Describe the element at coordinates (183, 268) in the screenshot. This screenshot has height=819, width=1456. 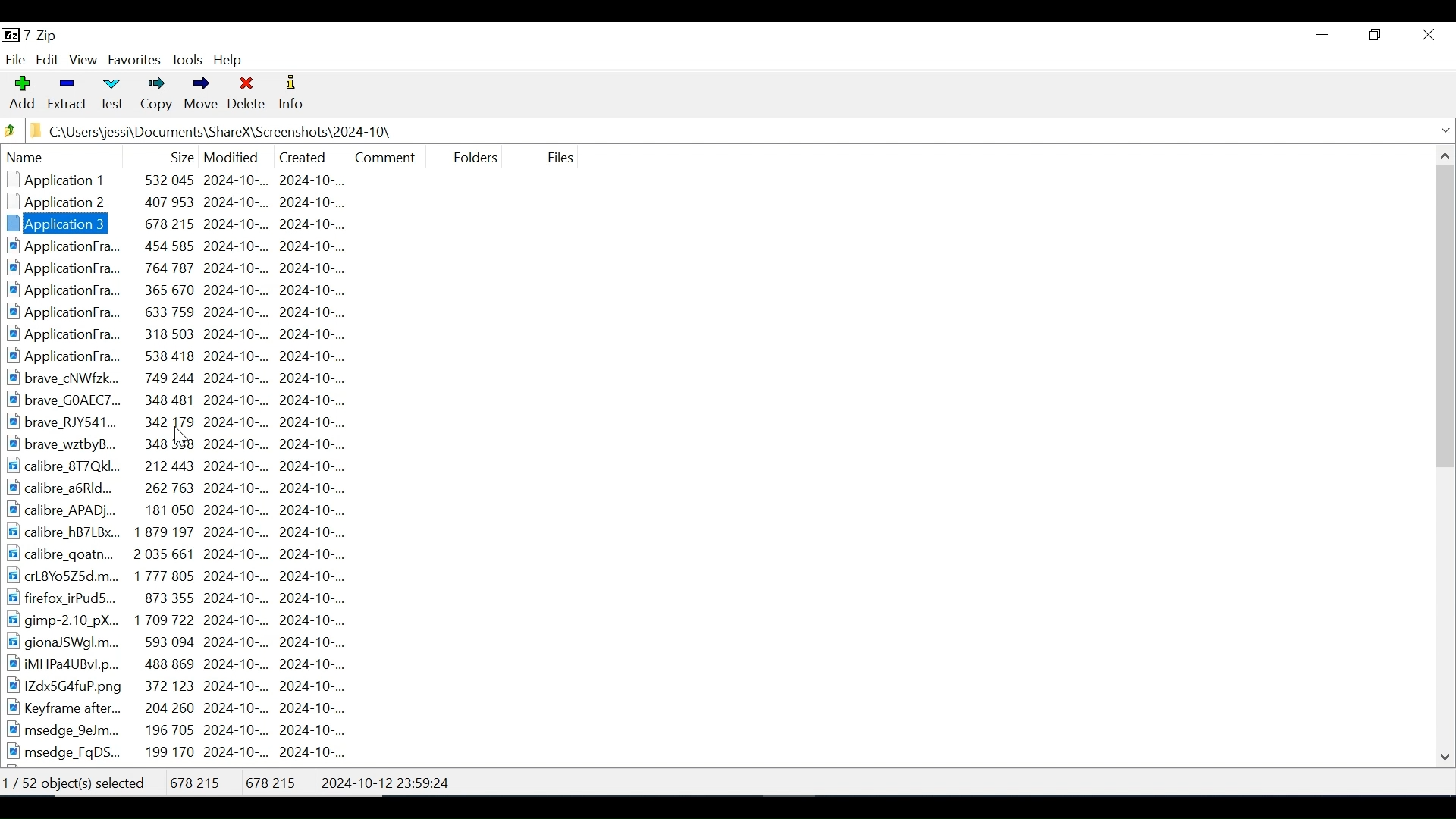
I see `Applicationfra.. ~~ 764 787 2024-10-.. 2024-10-..` at that location.